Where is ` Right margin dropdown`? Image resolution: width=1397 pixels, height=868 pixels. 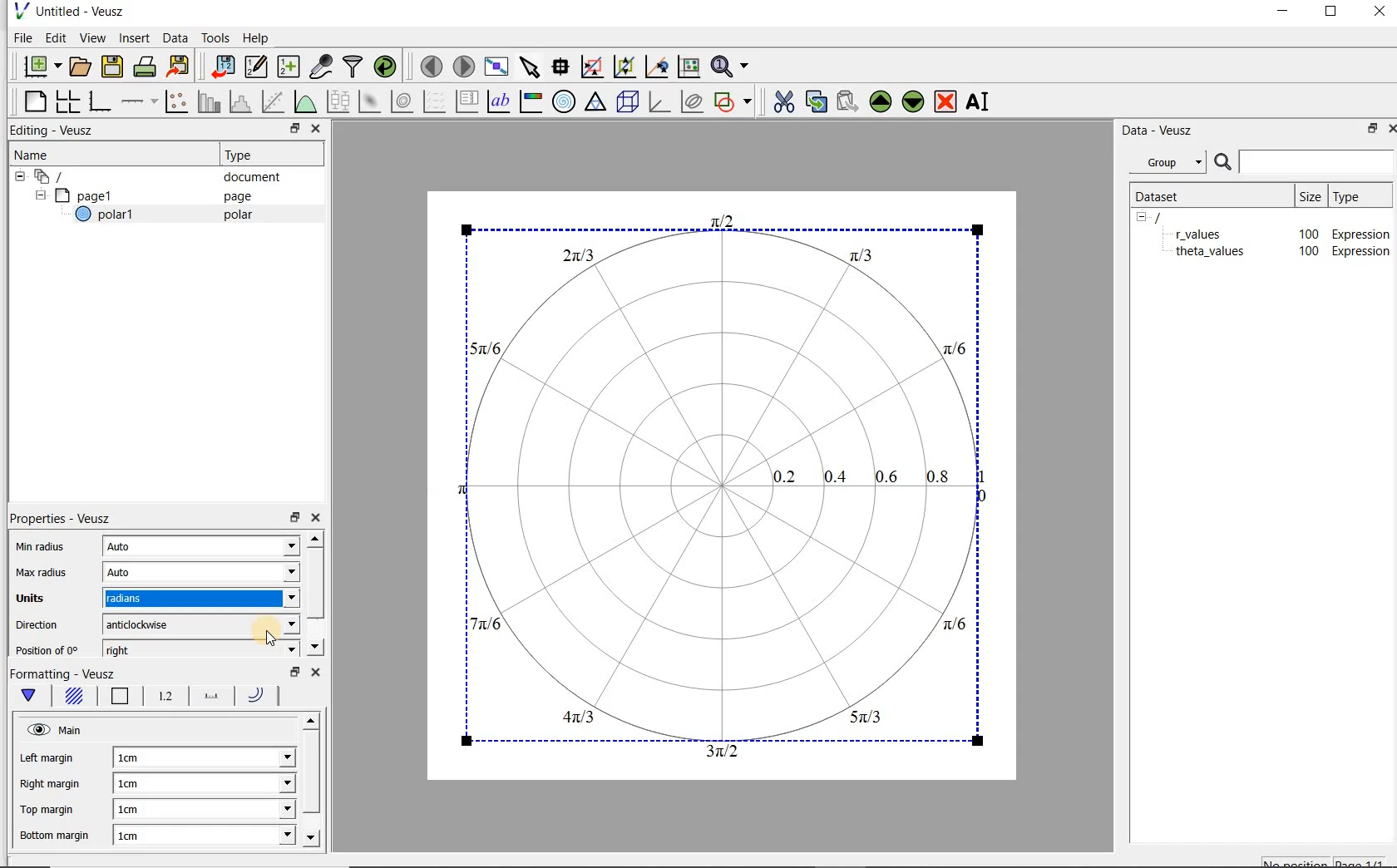
 Right margin dropdown is located at coordinates (259, 784).